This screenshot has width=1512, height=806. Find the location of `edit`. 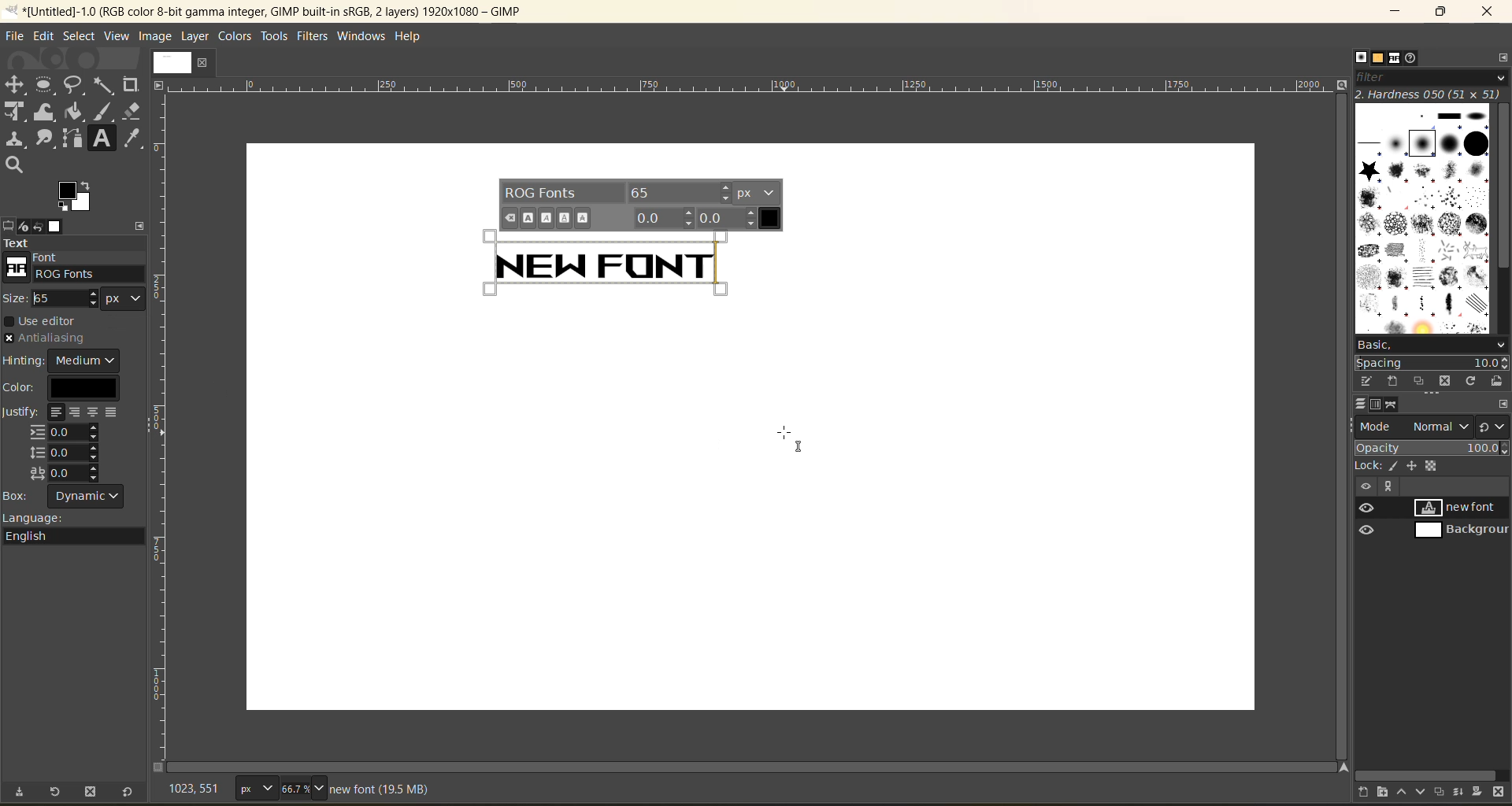

edit is located at coordinates (45, 38).